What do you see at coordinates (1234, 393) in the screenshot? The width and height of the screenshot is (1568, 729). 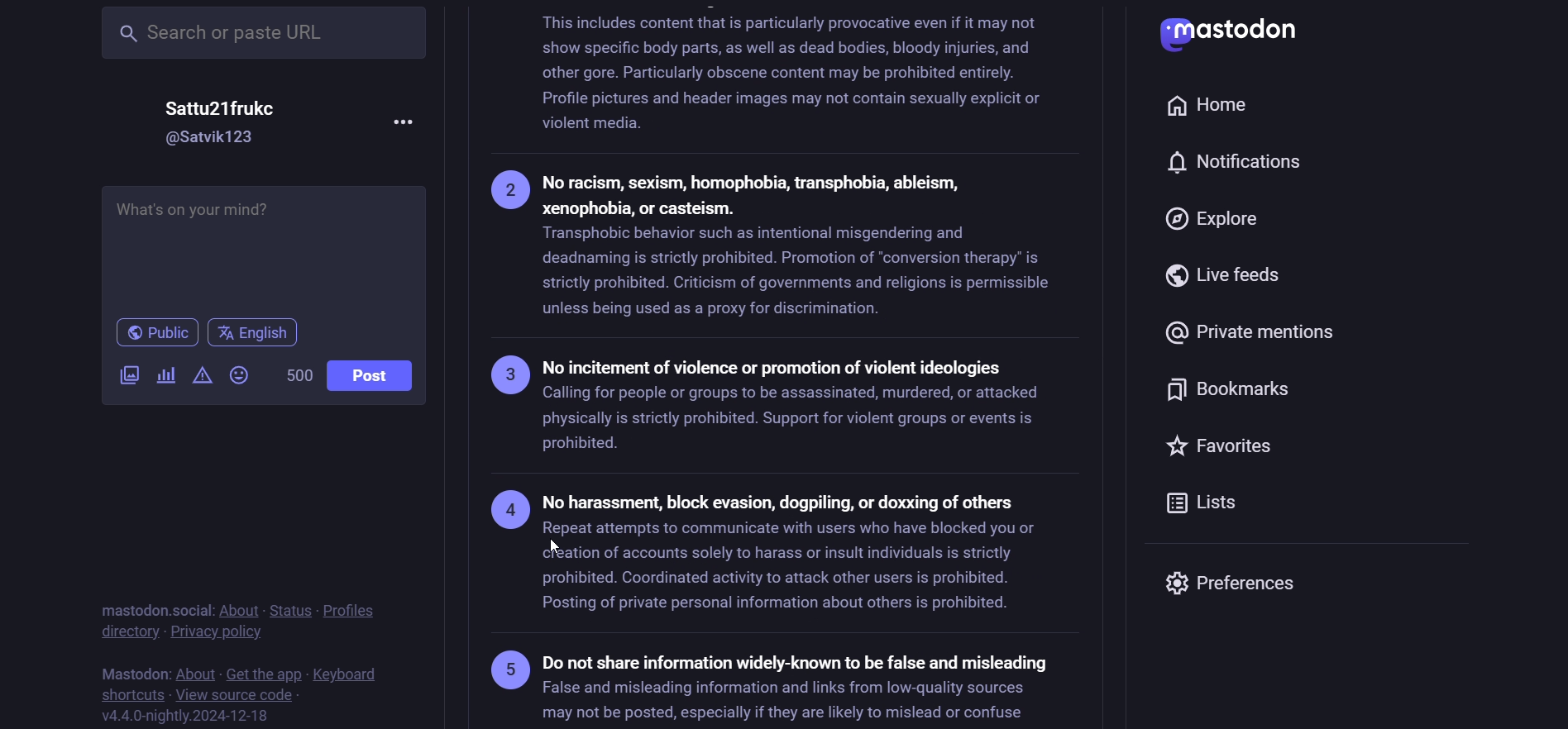 I see `bookmark` at bounding box center [1234, 393].